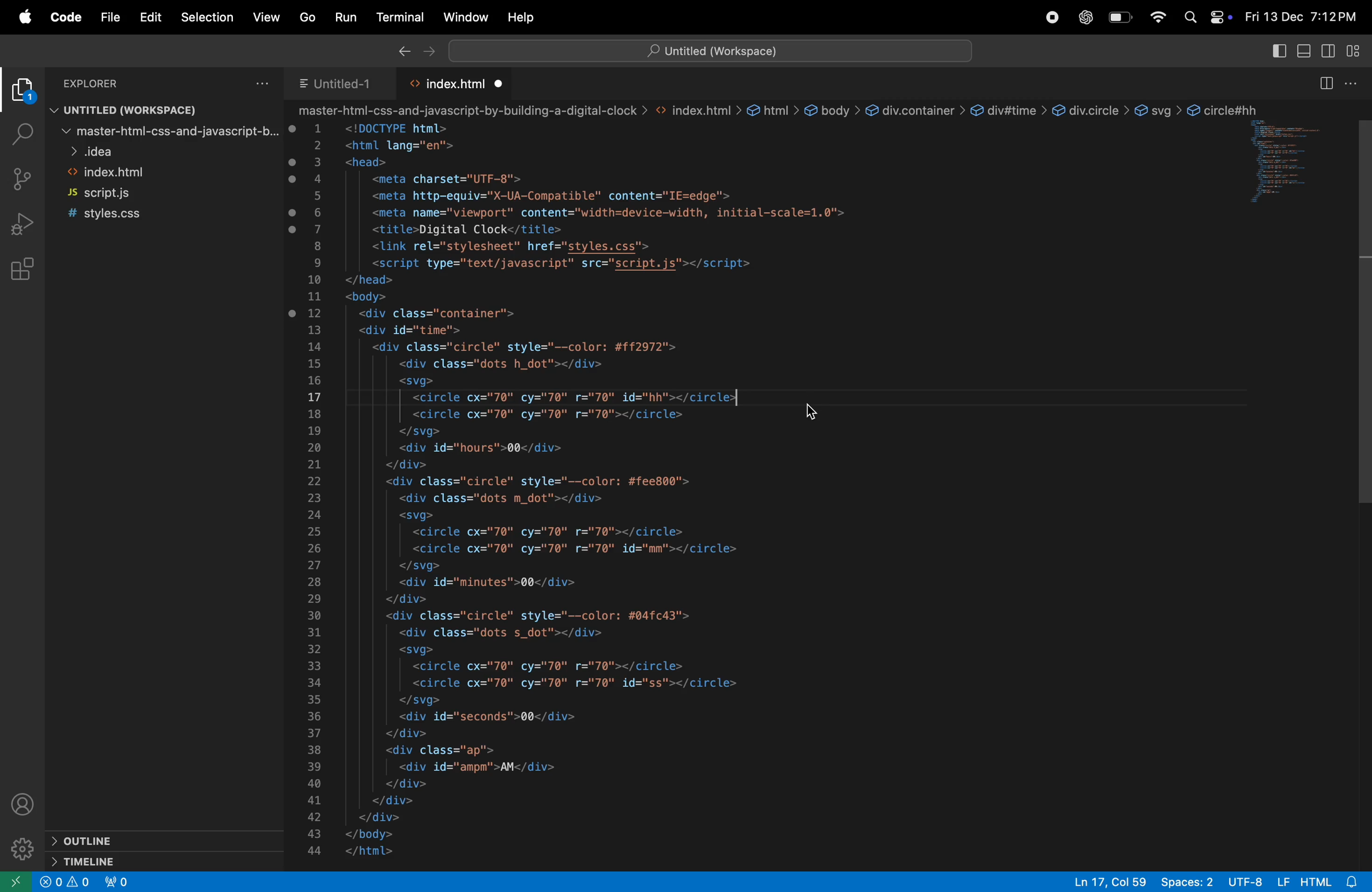 Image resolution: width=1372 pixels, height=892 pixels. Describe the element at coordinates (710, 50) in the screenshot. I see `untitled workspace` at that location.